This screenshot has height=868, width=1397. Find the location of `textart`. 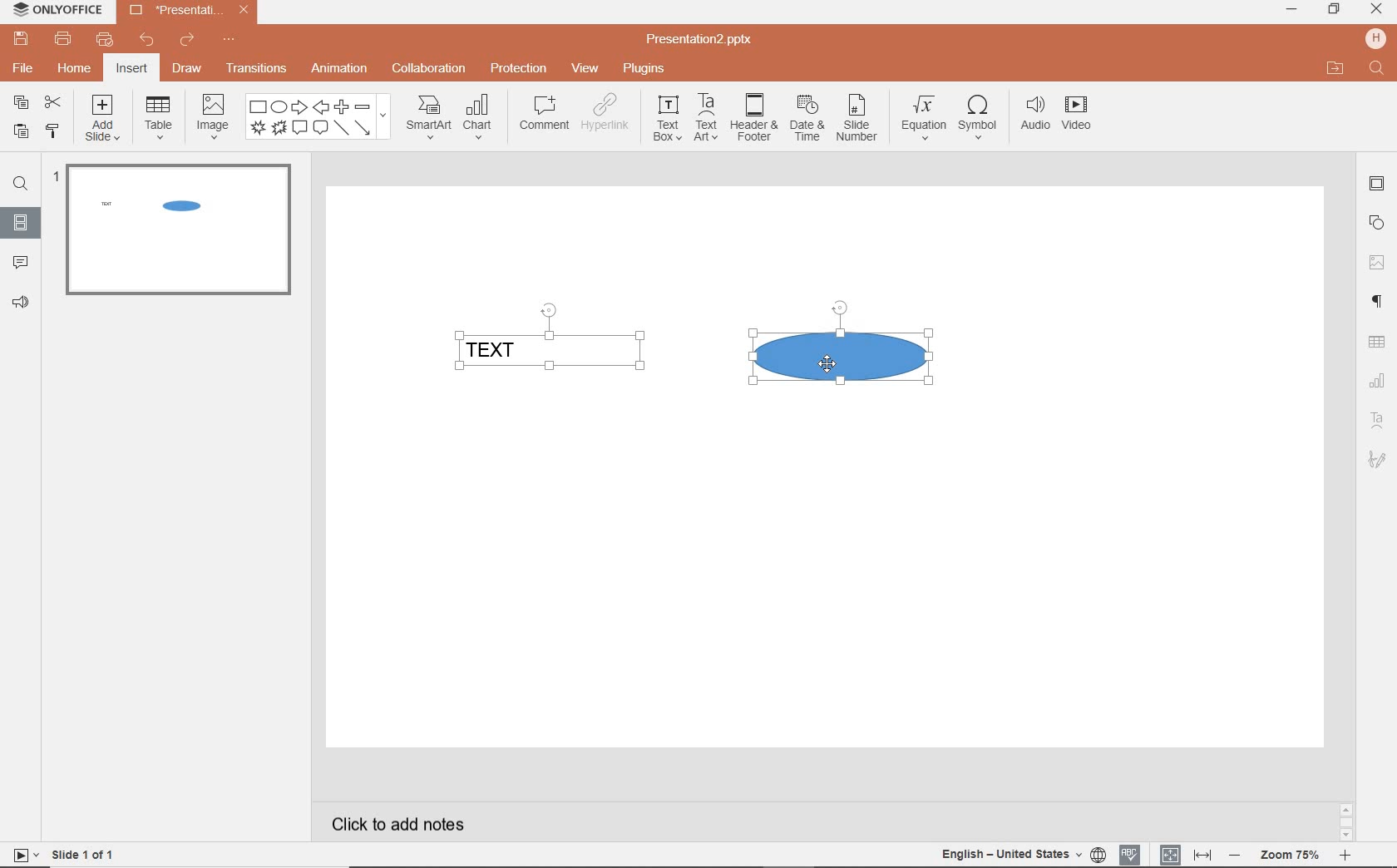

textart is located at coordinates (704, 116).